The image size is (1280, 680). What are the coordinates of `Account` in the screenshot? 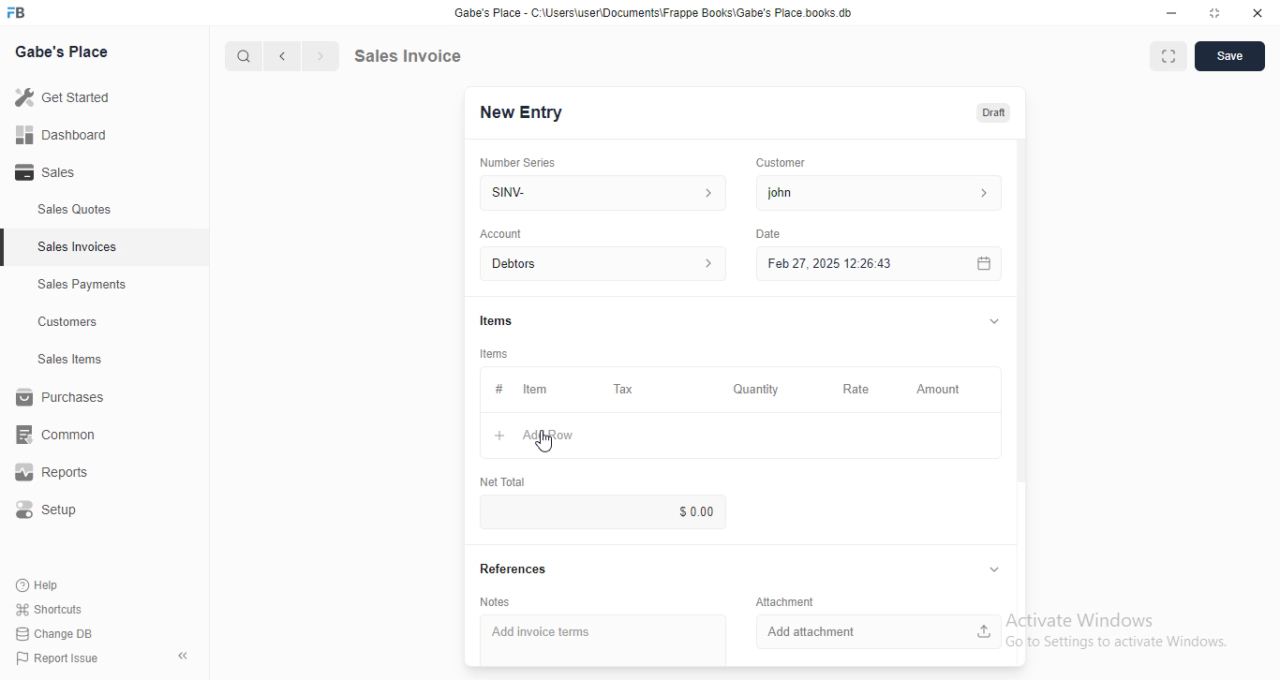 It's located at (501, 233).